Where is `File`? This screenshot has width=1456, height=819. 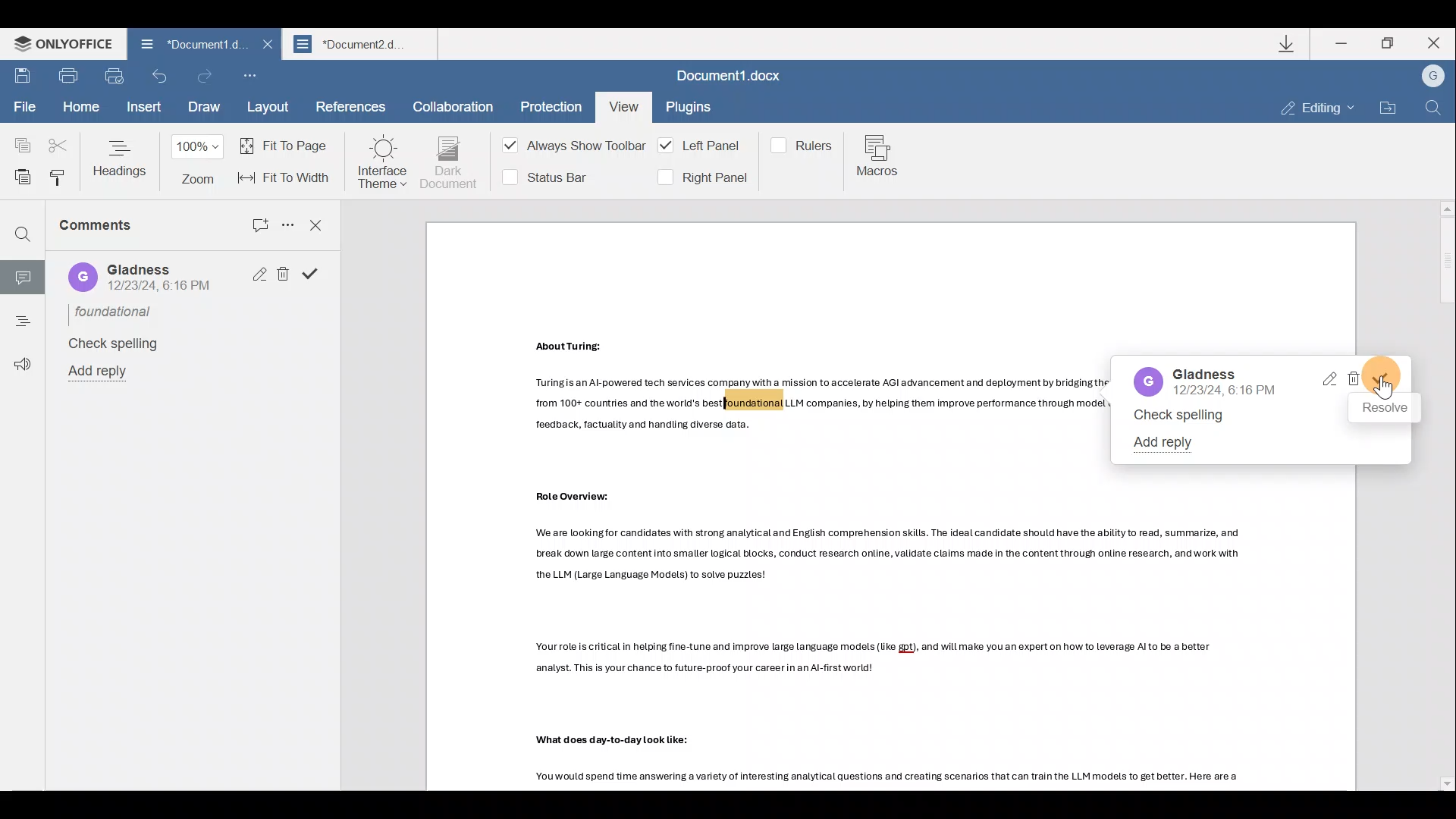
File is located at coordinates (24, 108).